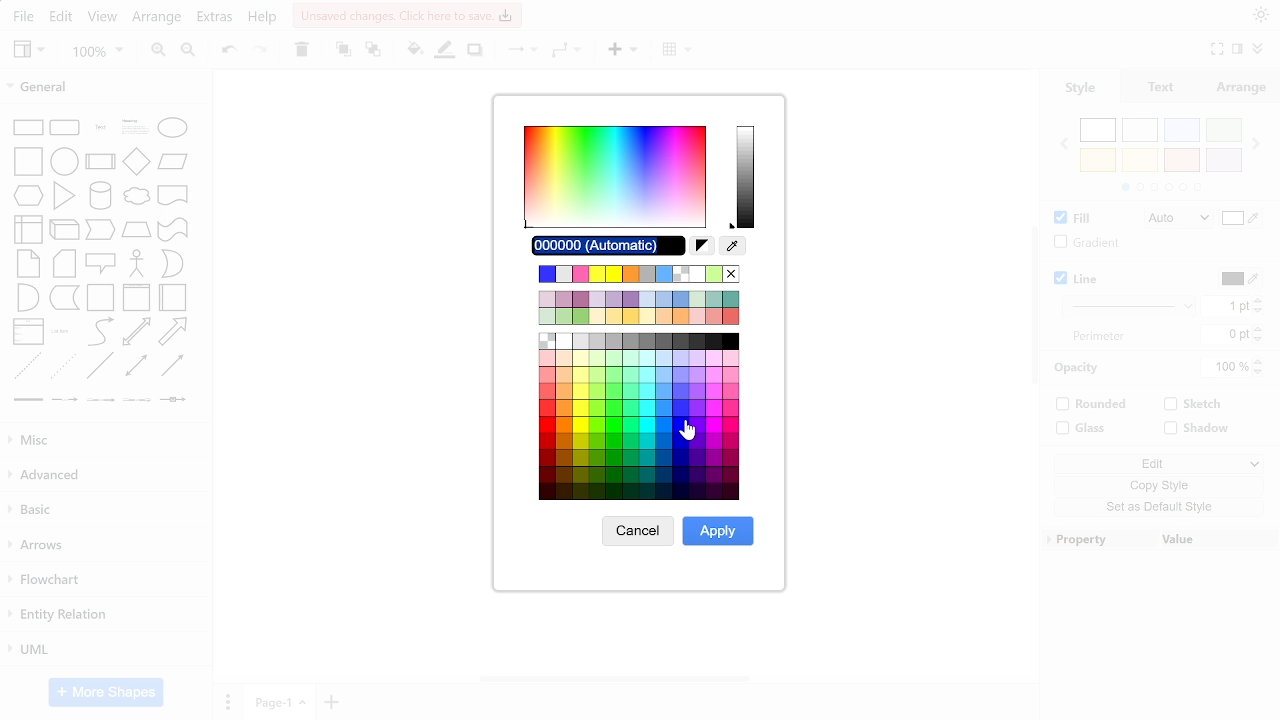 The image size is (1280, 720). I want to click on rounded, so click(1093, 406).